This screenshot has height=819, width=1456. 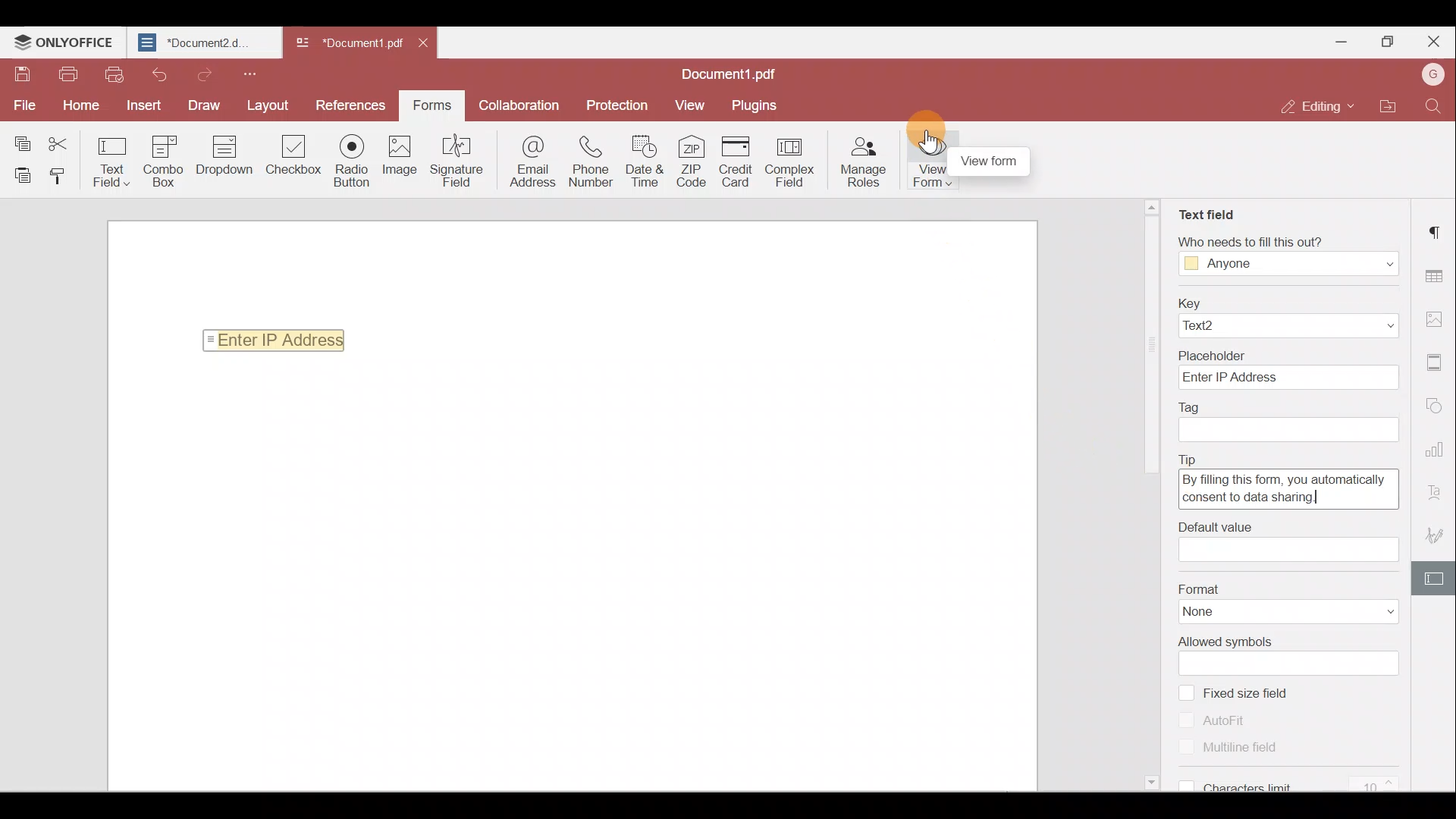 What do you see at coordinates (427, 45) in the screenshot?
I see `Close document` at bounding box center [427, 45].